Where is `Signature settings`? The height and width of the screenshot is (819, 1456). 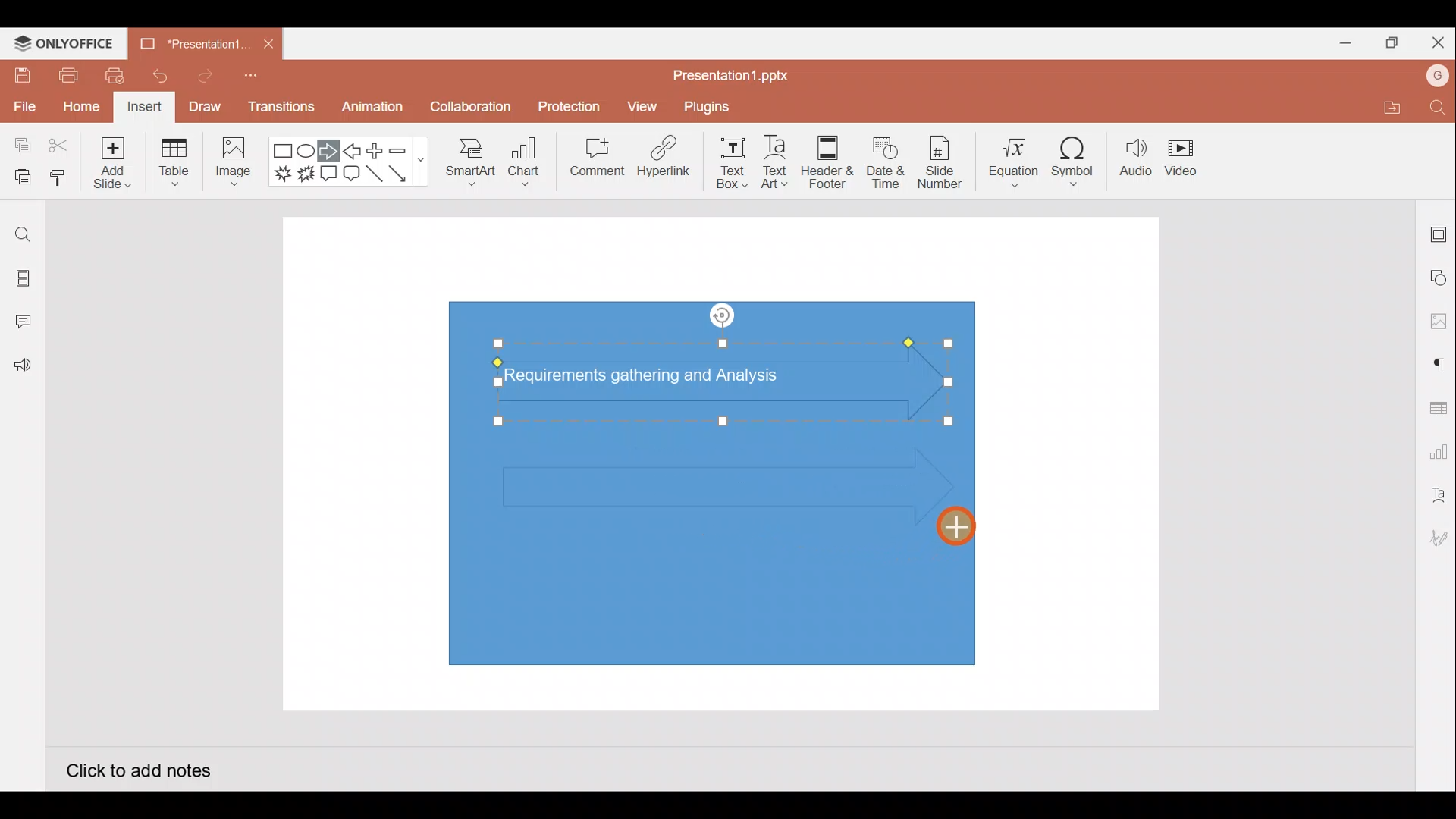
Signature settings is located at coordinates (1436, 540).